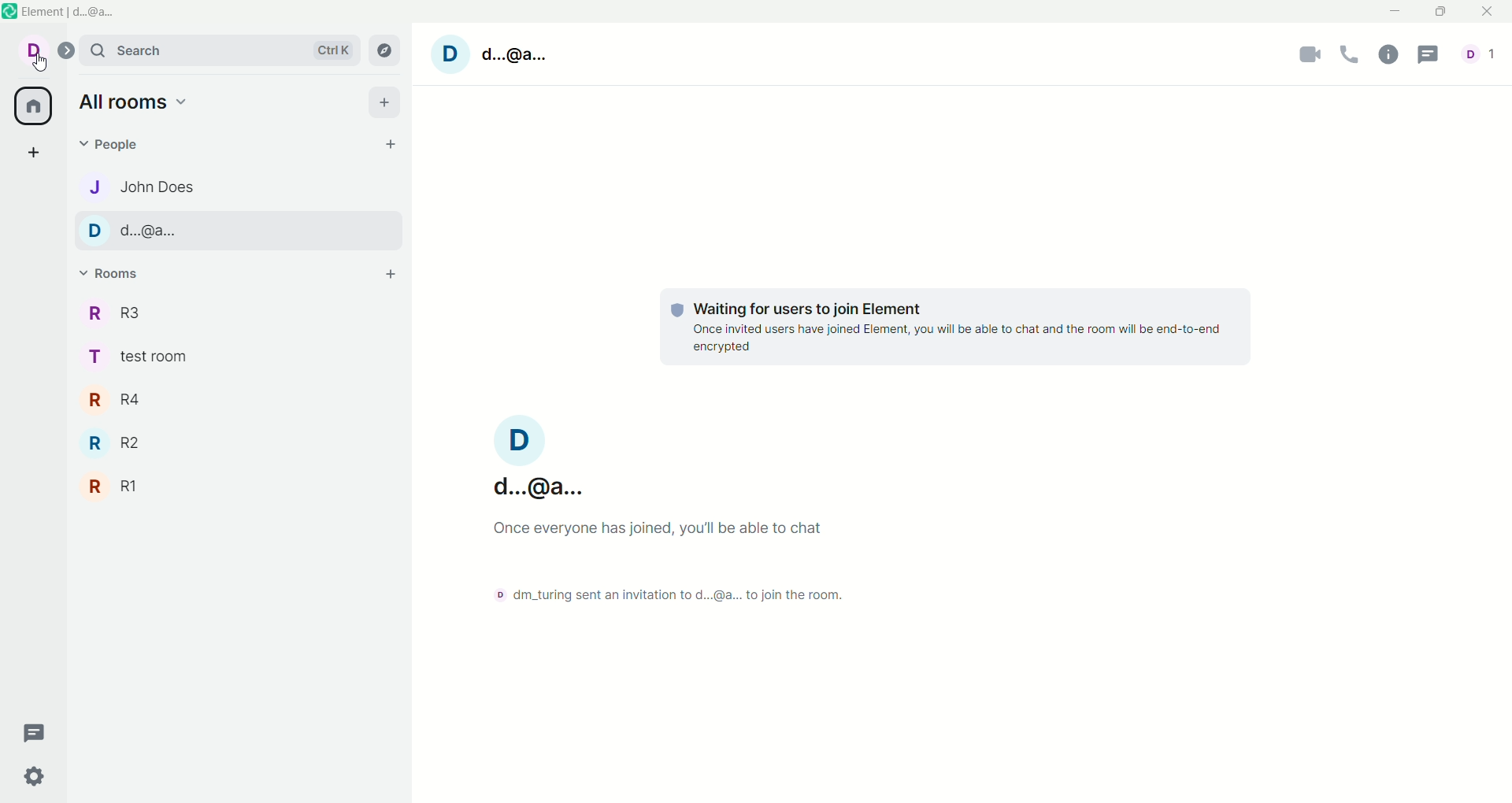 This screenshot has height=803, width=1512. I want to click on Once everyone has joined, you'll be able to chat, so click(655, 527).